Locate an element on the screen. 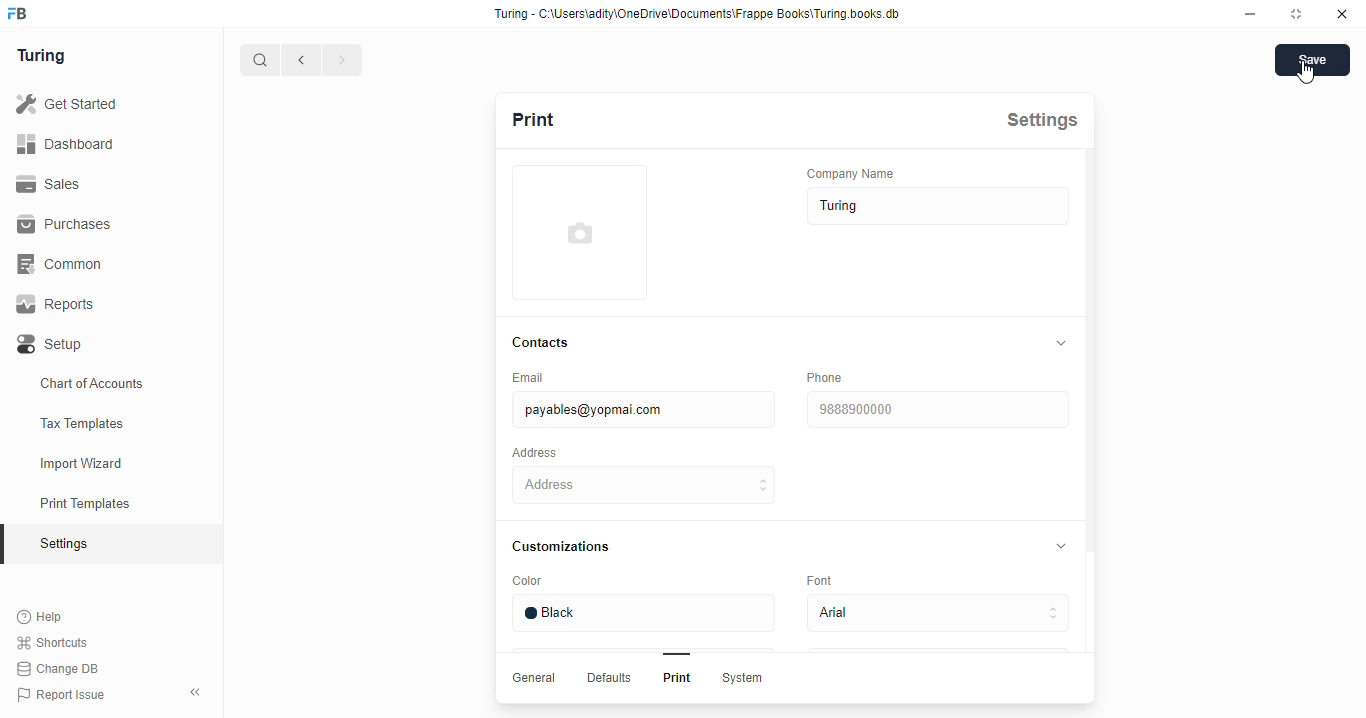 The height and width of the screenshot is (718, 1366). 9838900000 is located at coordinates (939, 409).